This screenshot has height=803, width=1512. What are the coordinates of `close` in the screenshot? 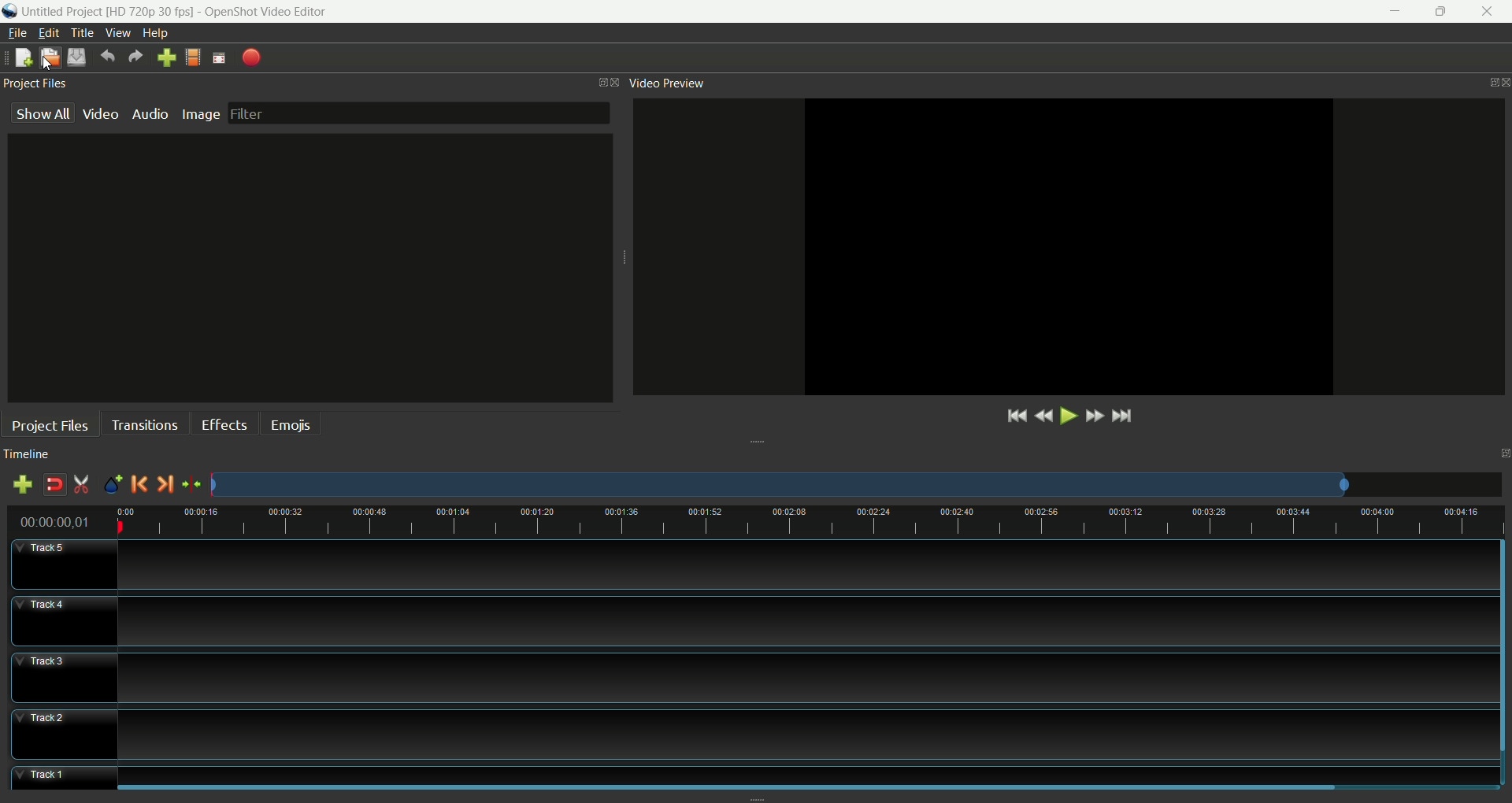 It's located at (1503, 76).